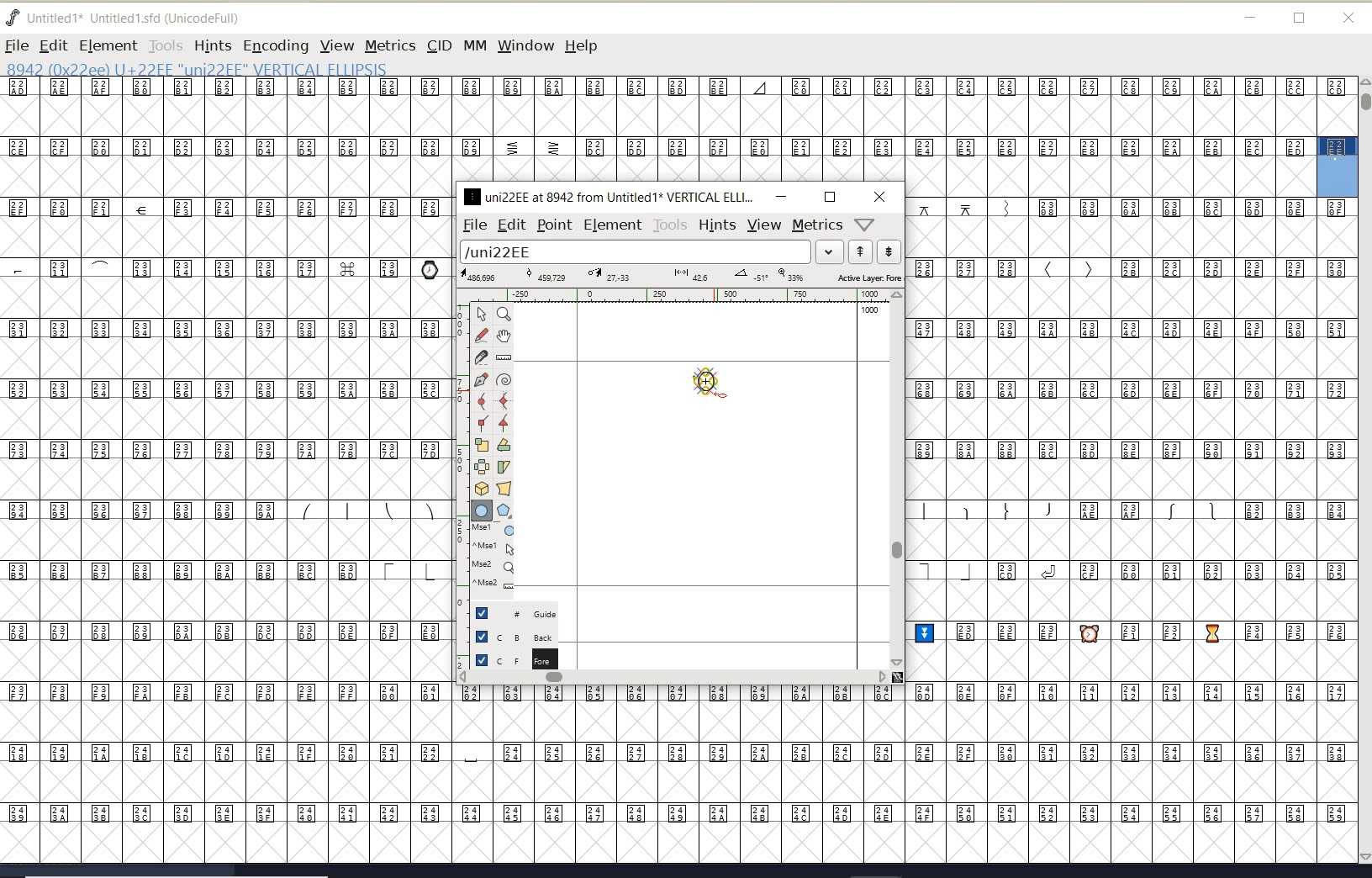 This screenshot has width=1372, height=878. I want to click on close, so click(880, 197).